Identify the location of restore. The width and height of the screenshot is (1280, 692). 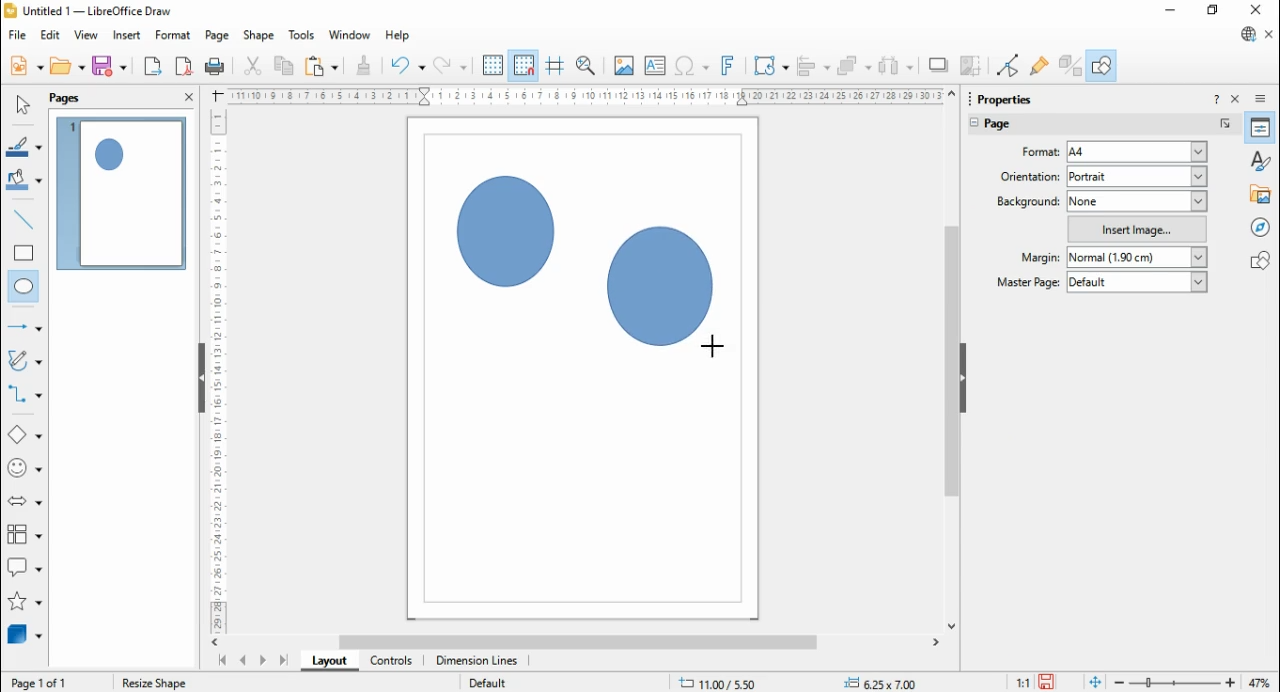
(1214, 11).